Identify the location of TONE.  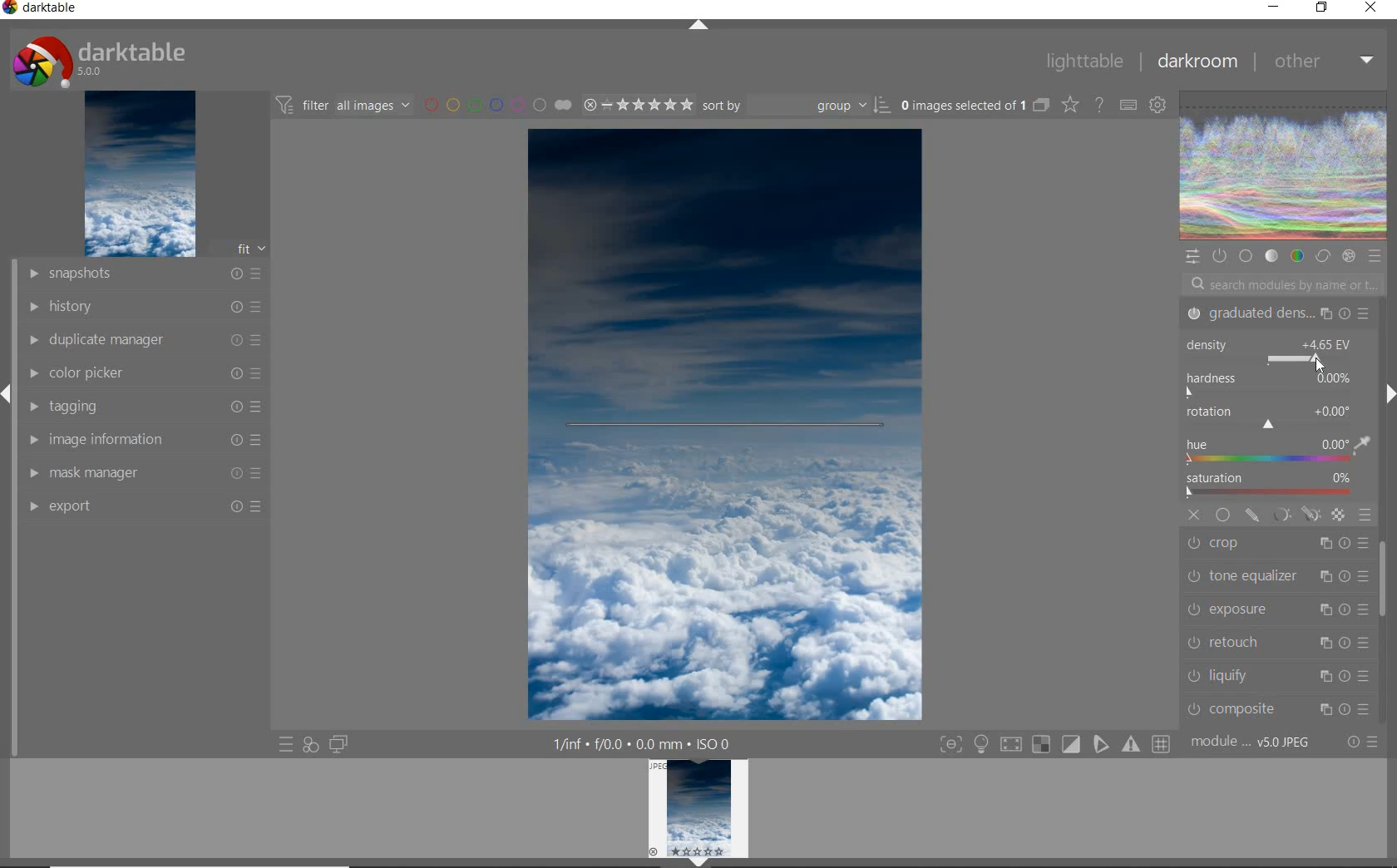
(1271, 258).